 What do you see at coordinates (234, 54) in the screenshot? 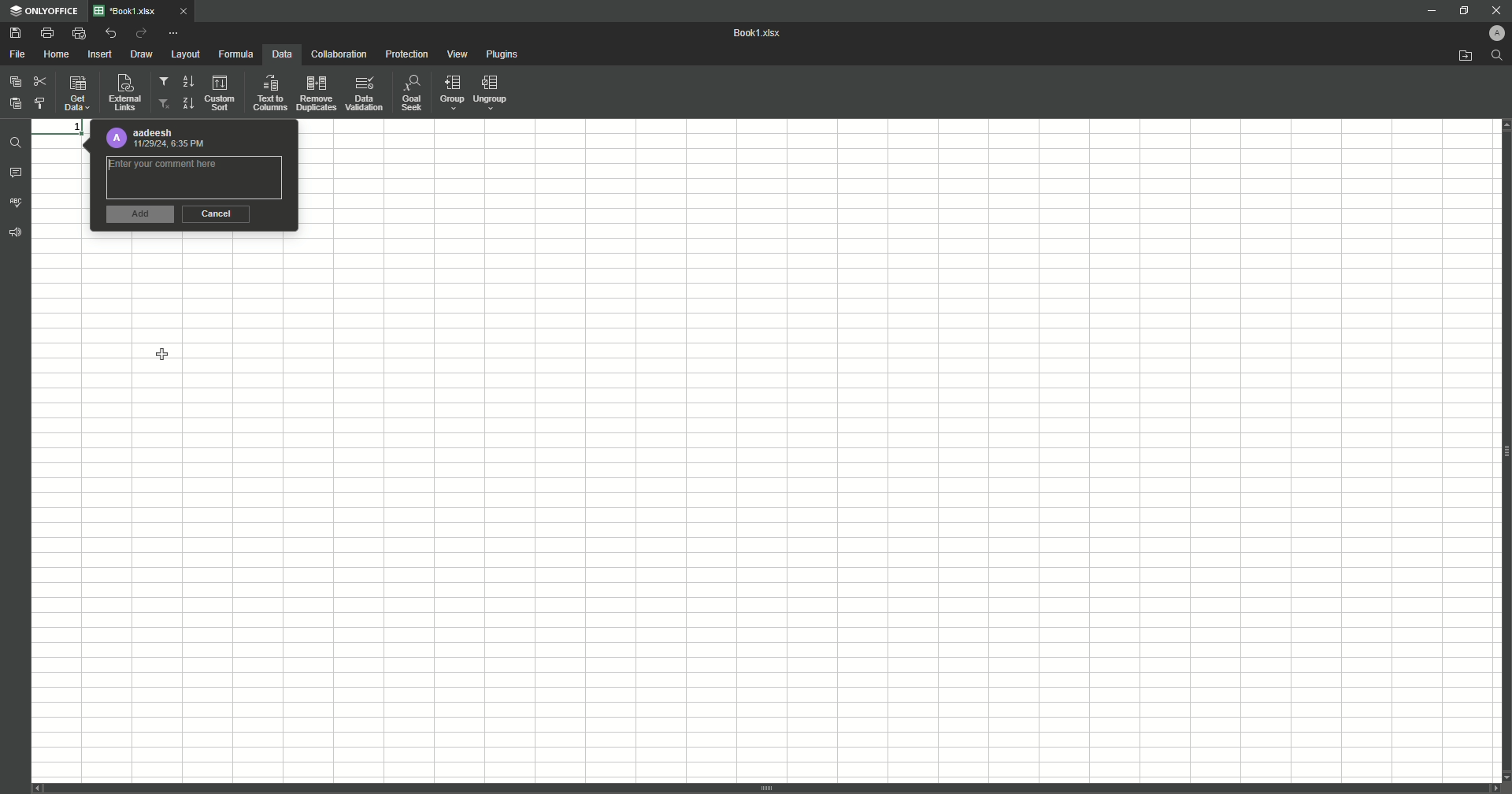
I see `Formula` at bounding box center [234, 54].